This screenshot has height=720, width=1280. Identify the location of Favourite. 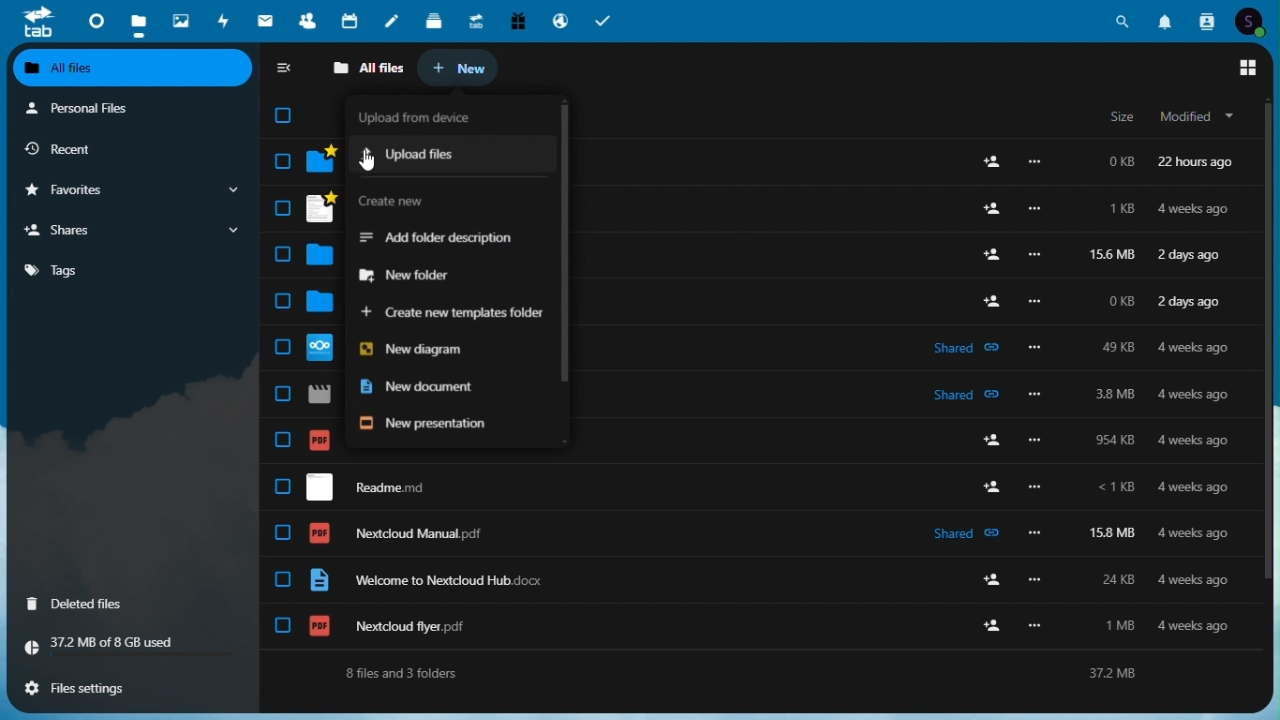
(131, 190).